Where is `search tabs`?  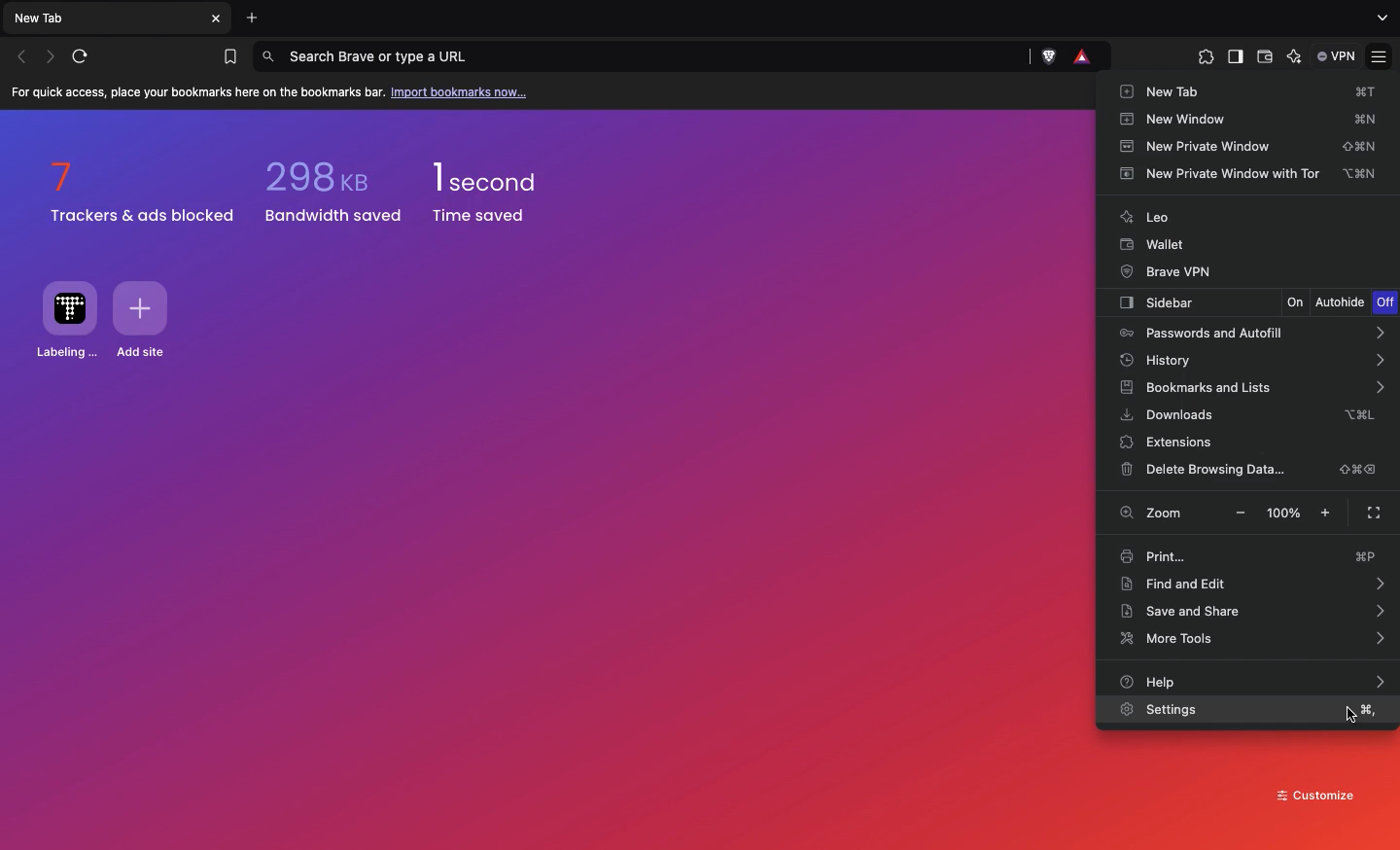
search tabs is located at coordinates (1381, 18).